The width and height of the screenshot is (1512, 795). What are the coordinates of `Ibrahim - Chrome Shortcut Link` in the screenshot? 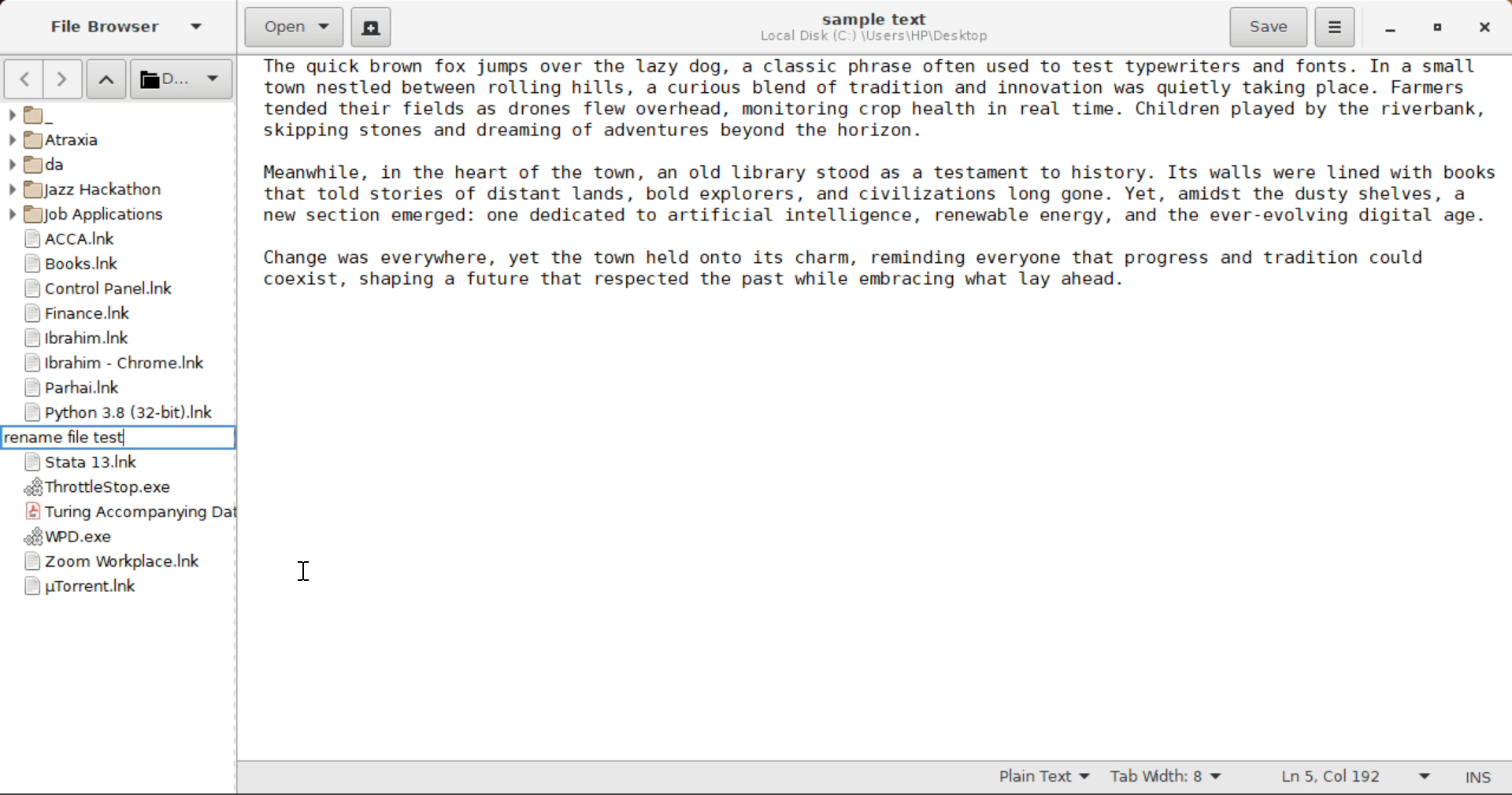 It's located at (114, 366).